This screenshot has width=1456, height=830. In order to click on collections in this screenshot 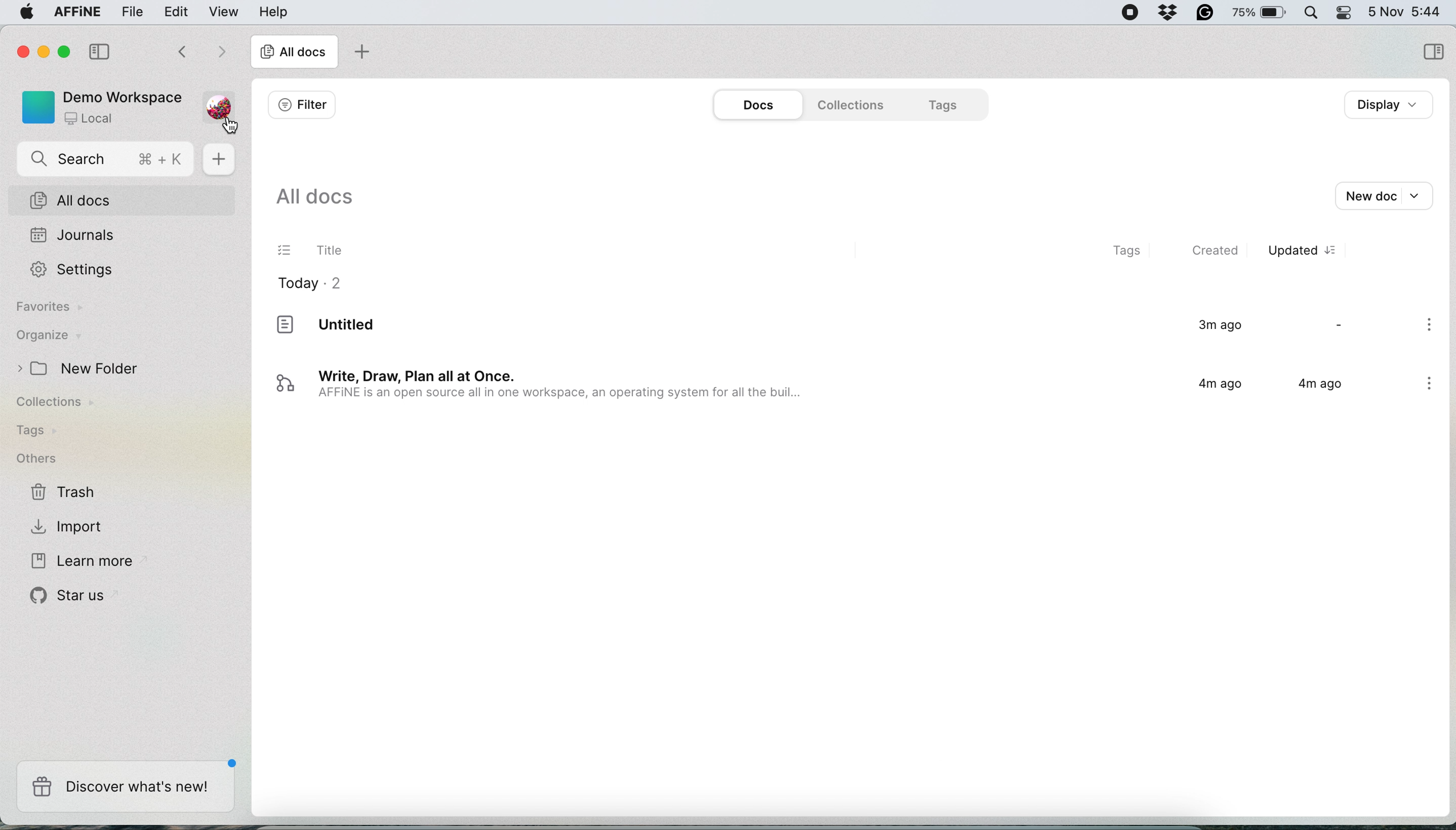, I will do `click(64, 404)`.